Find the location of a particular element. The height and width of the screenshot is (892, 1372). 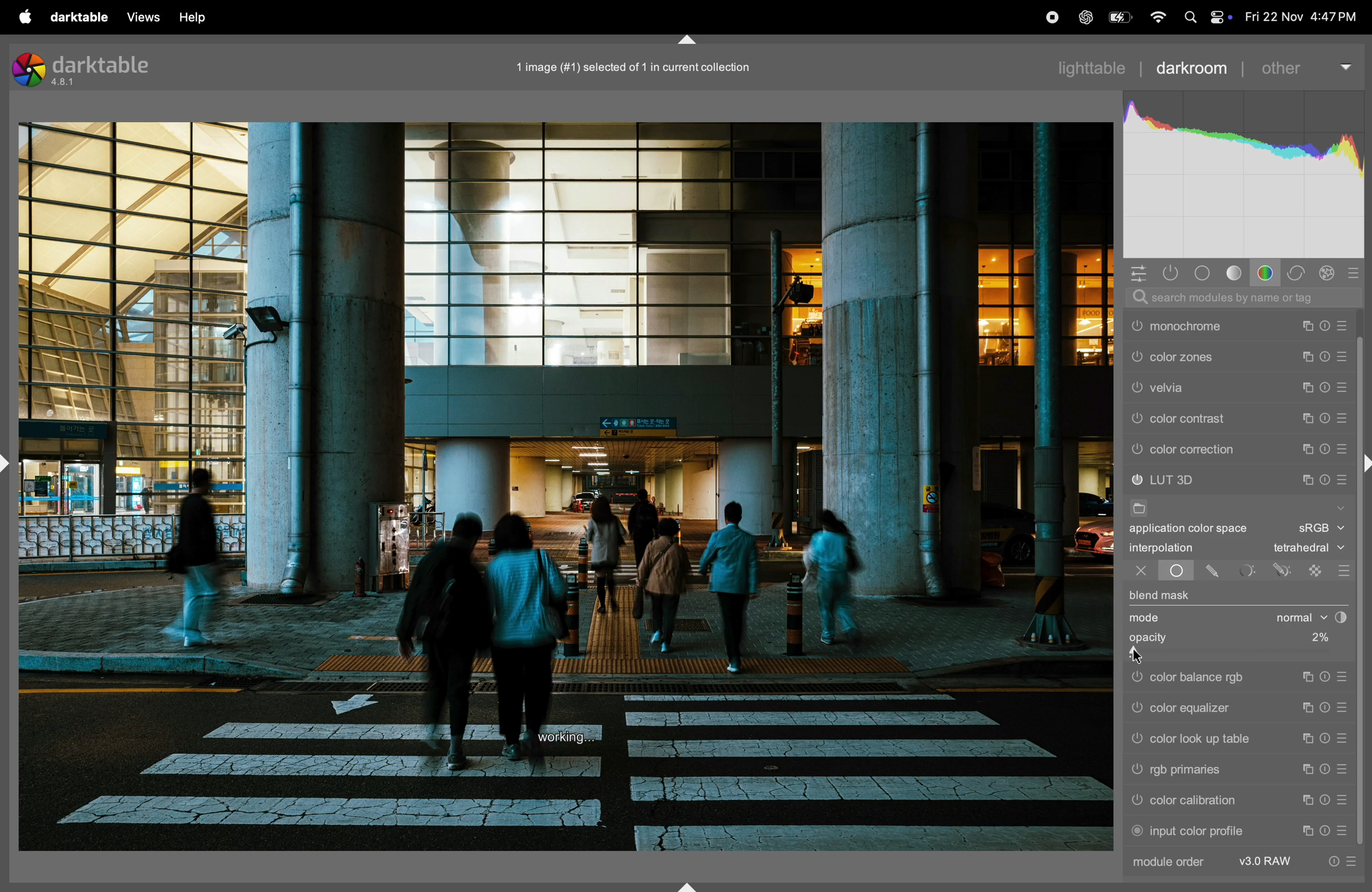

rgb primaries switched off is located at coordinates (1136, 770).